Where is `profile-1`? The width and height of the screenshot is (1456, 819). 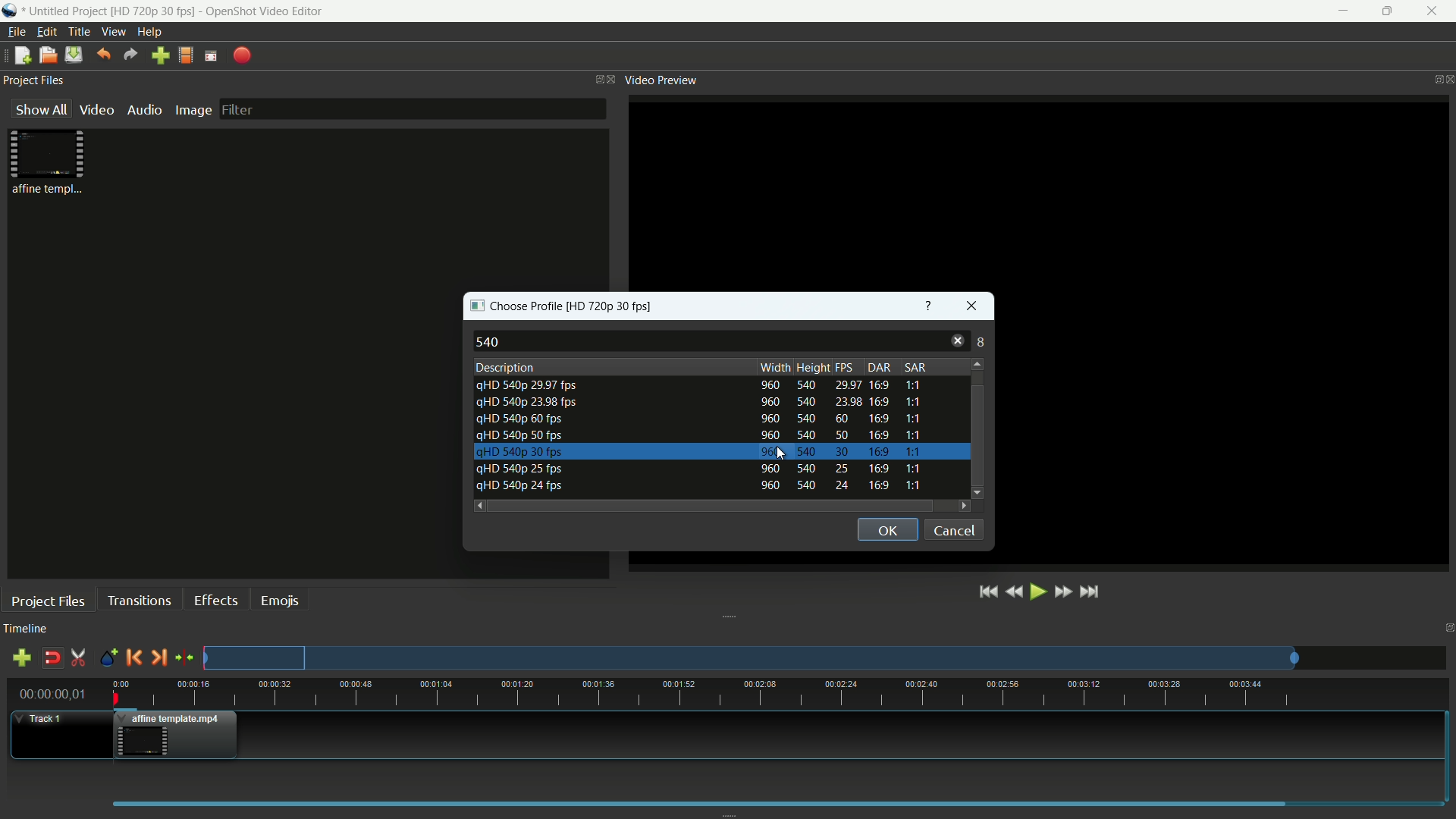 profile-1 is located at coordinates (704, 384).